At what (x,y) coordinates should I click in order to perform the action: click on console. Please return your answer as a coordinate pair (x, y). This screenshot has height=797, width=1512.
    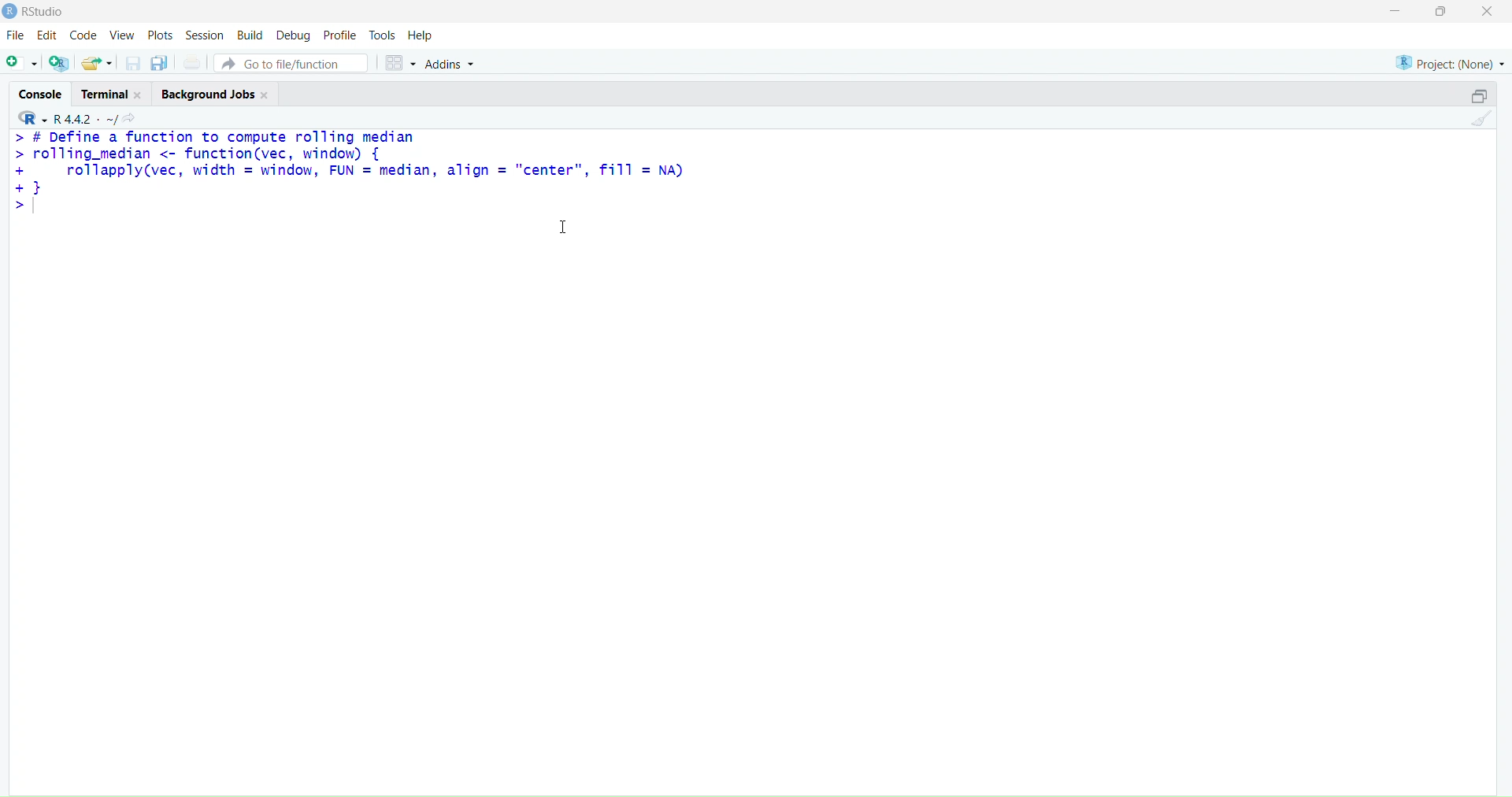
    Looking at the image, I should click on (41, 95).